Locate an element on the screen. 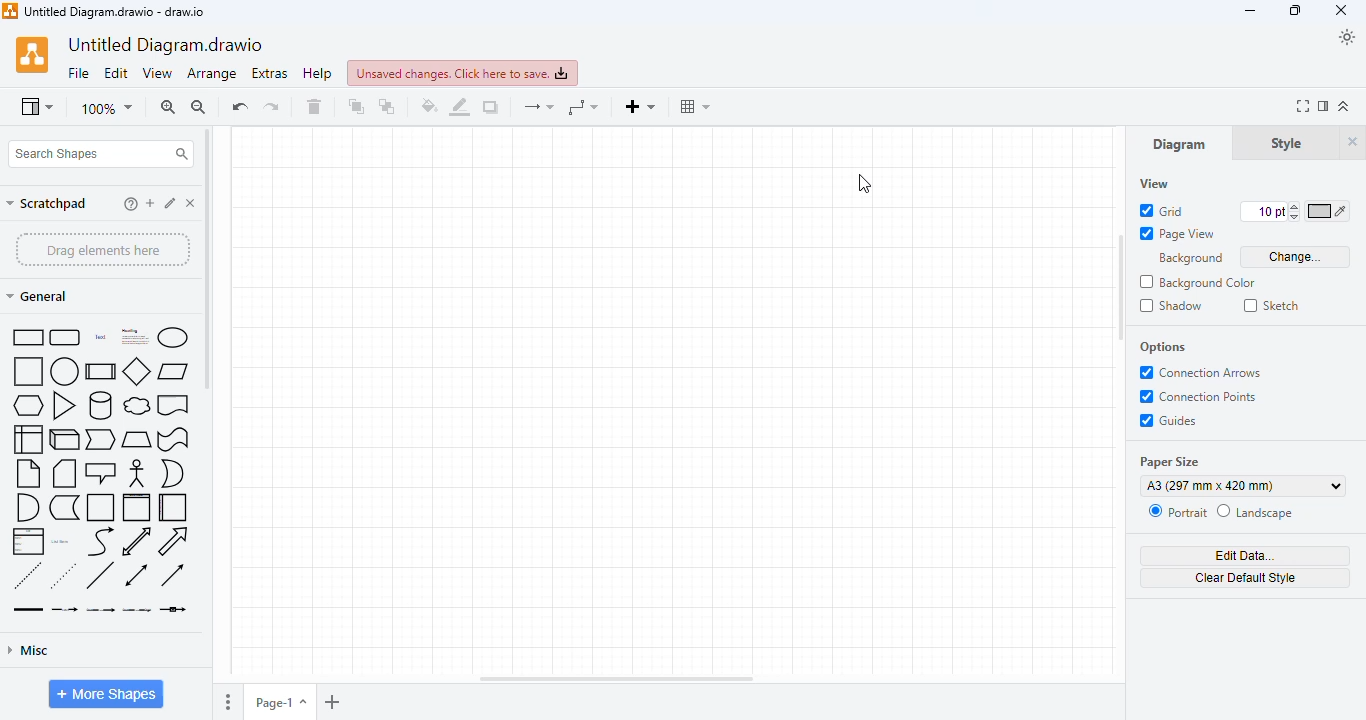 The image size is (1366, 720). shadow is located at coordinates (490, 106).